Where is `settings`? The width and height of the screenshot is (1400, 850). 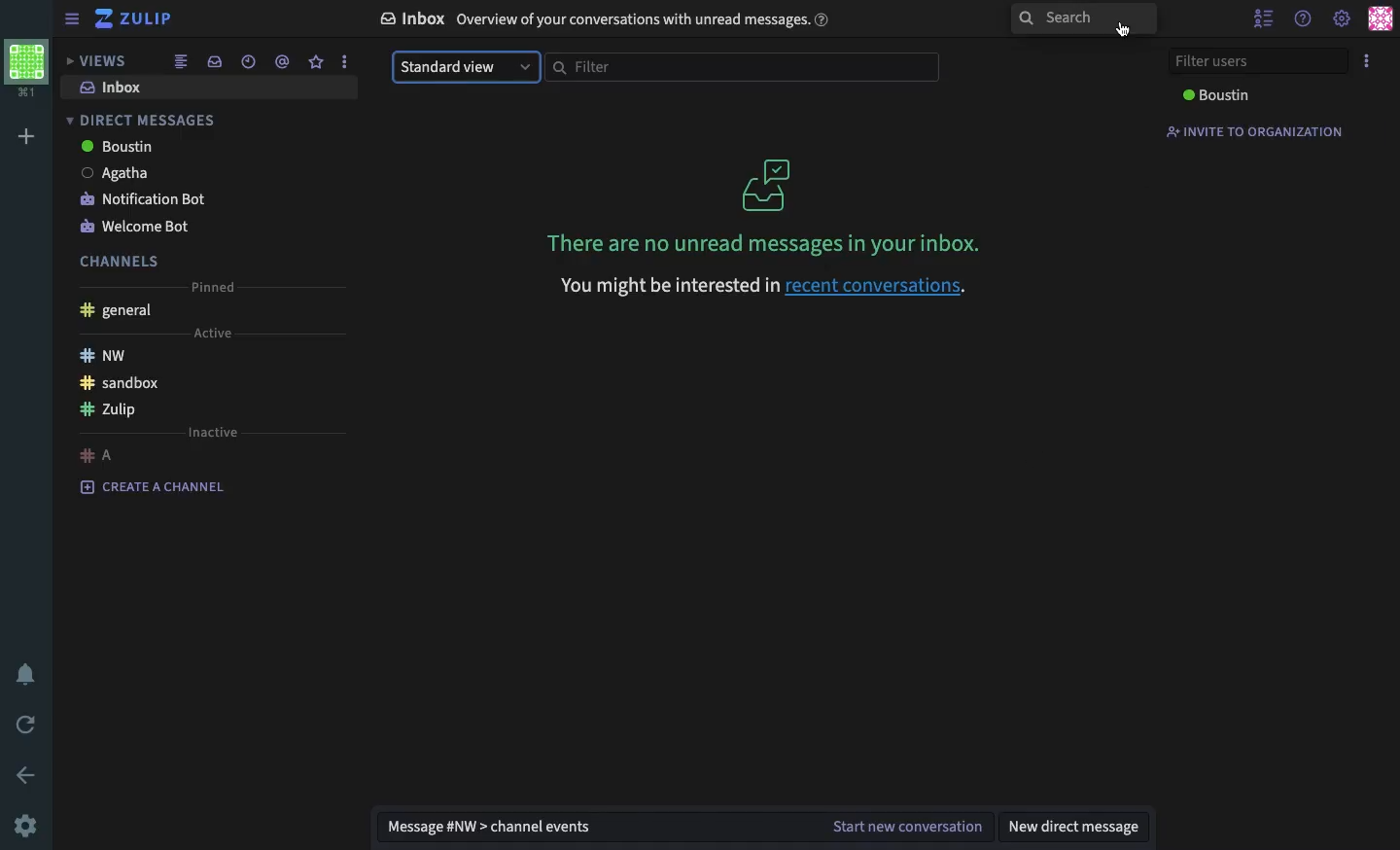
settings is located at coordinates (29, 826).